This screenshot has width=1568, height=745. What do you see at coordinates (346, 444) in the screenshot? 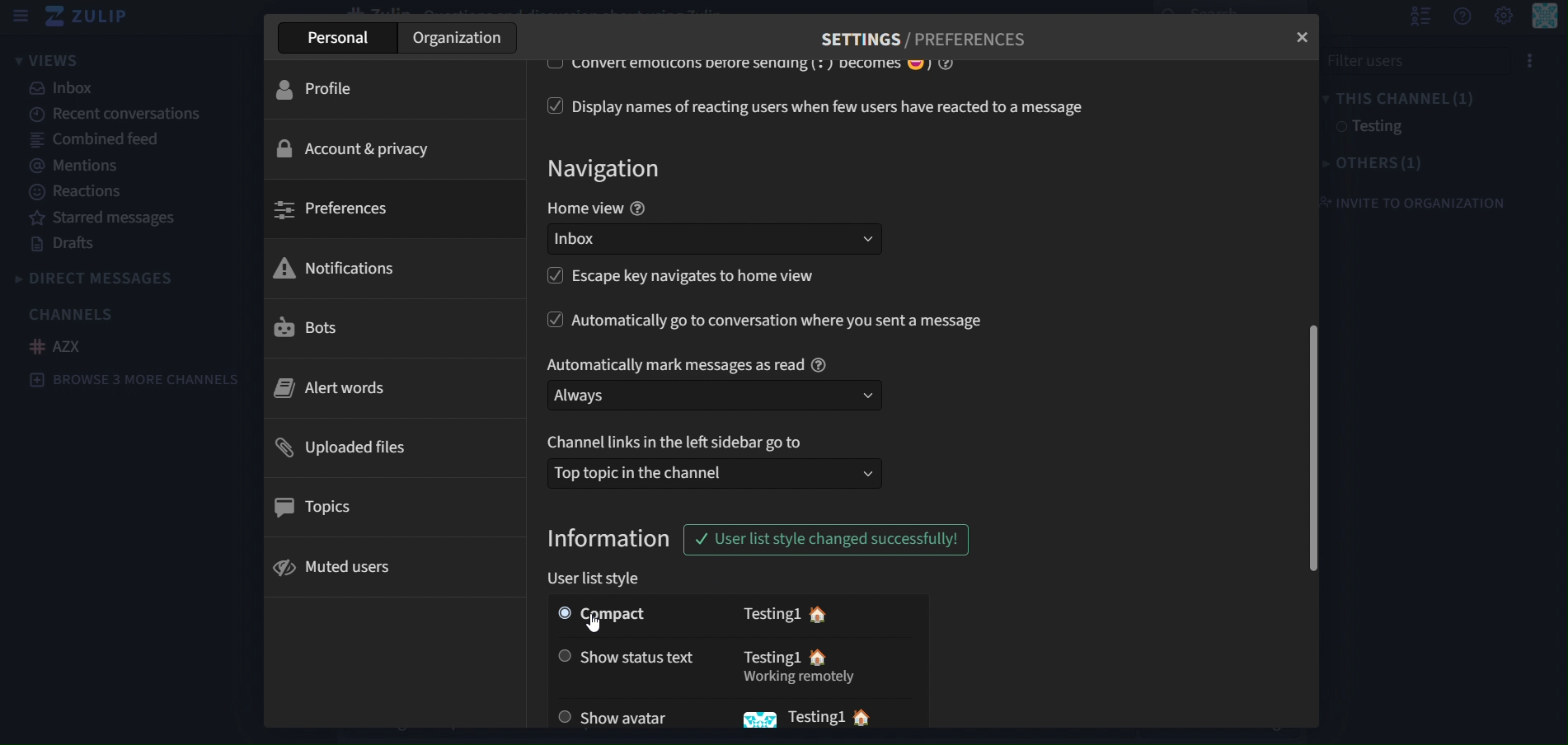
I see `uploaded files` at bounding box center [346, 444].